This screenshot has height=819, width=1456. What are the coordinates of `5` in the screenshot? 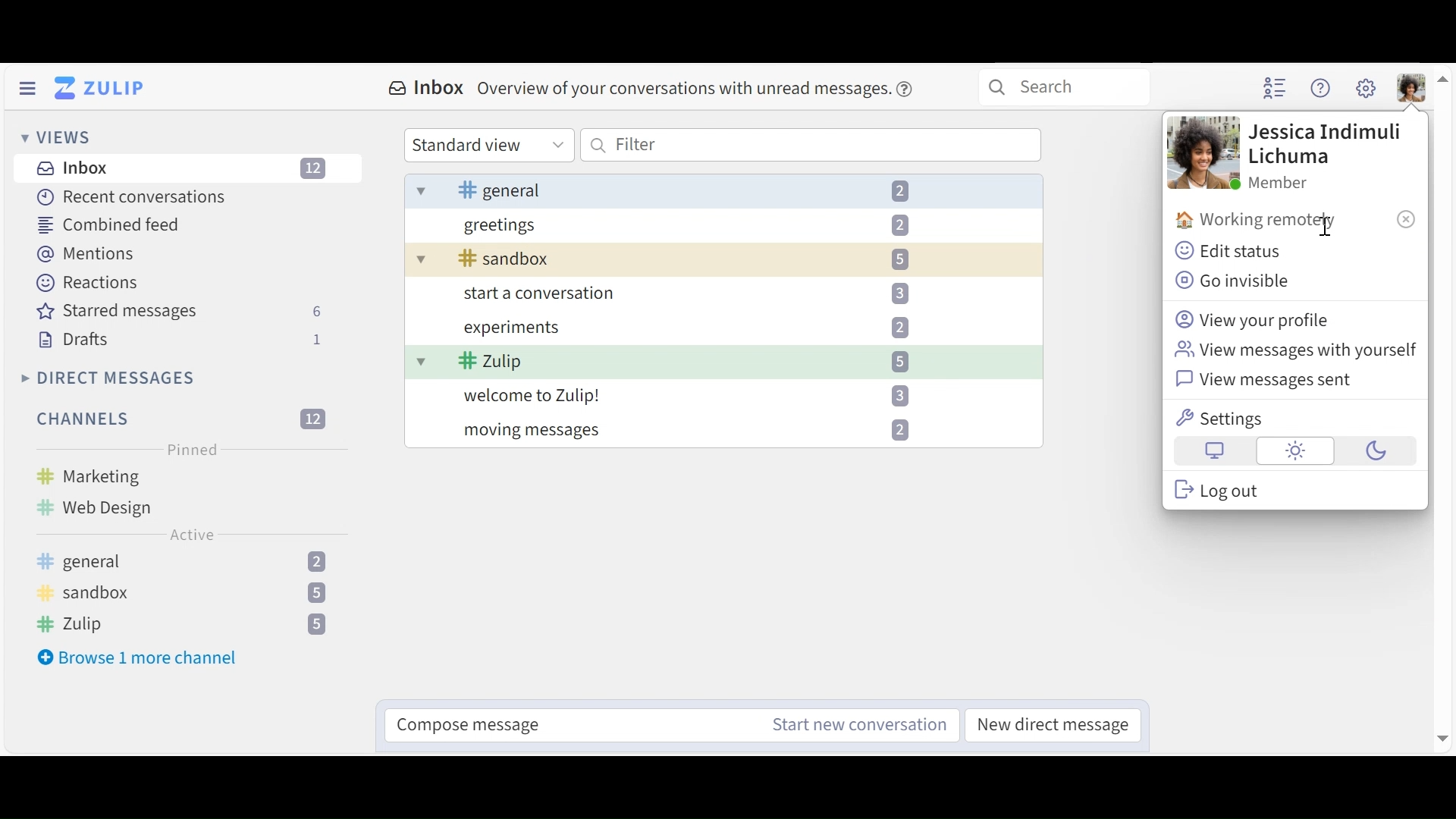 It's located at (901, 262).